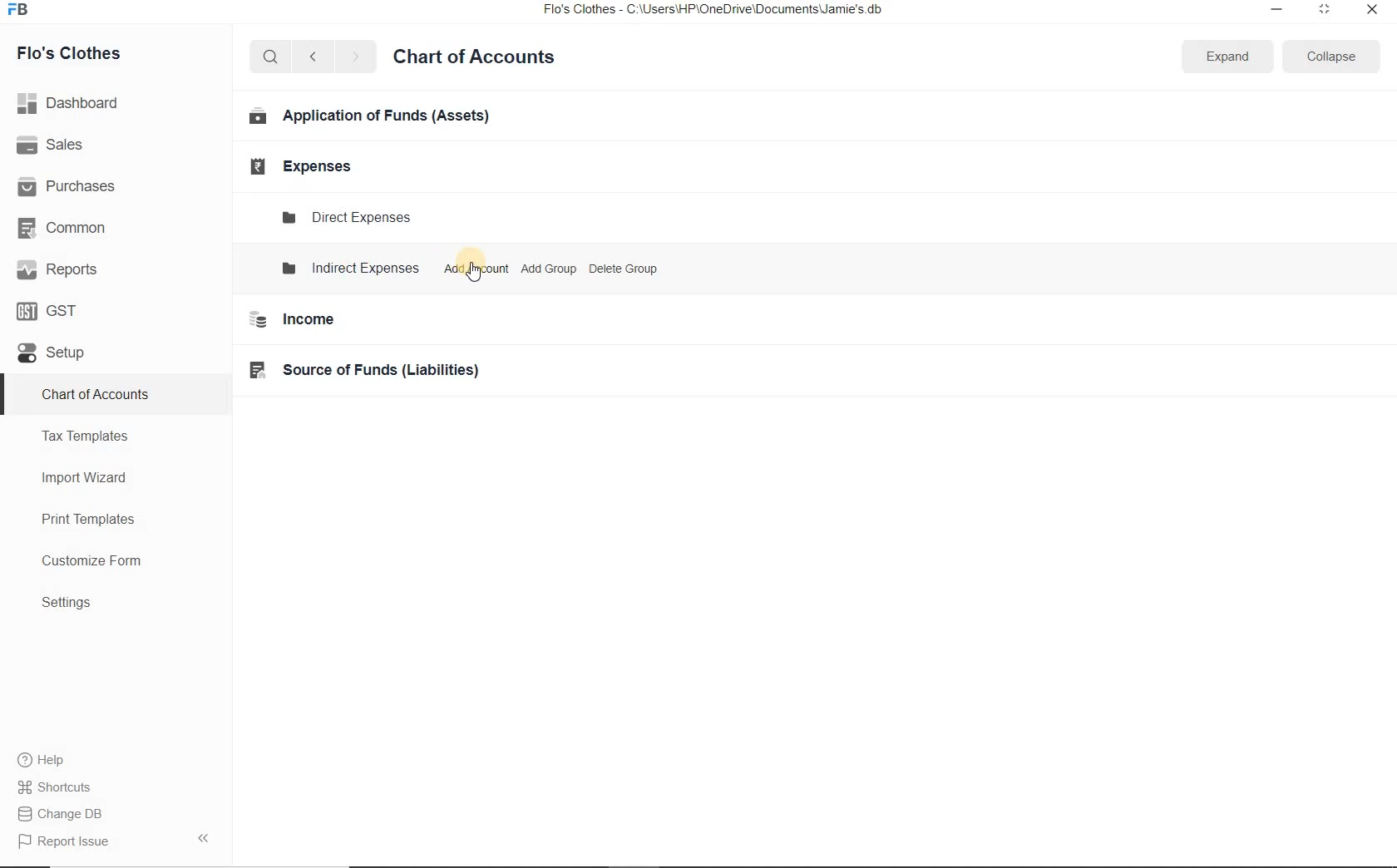  Describe the element at coordinates (22, 11) in the screenshot. I see `frappe books logo` at that location.